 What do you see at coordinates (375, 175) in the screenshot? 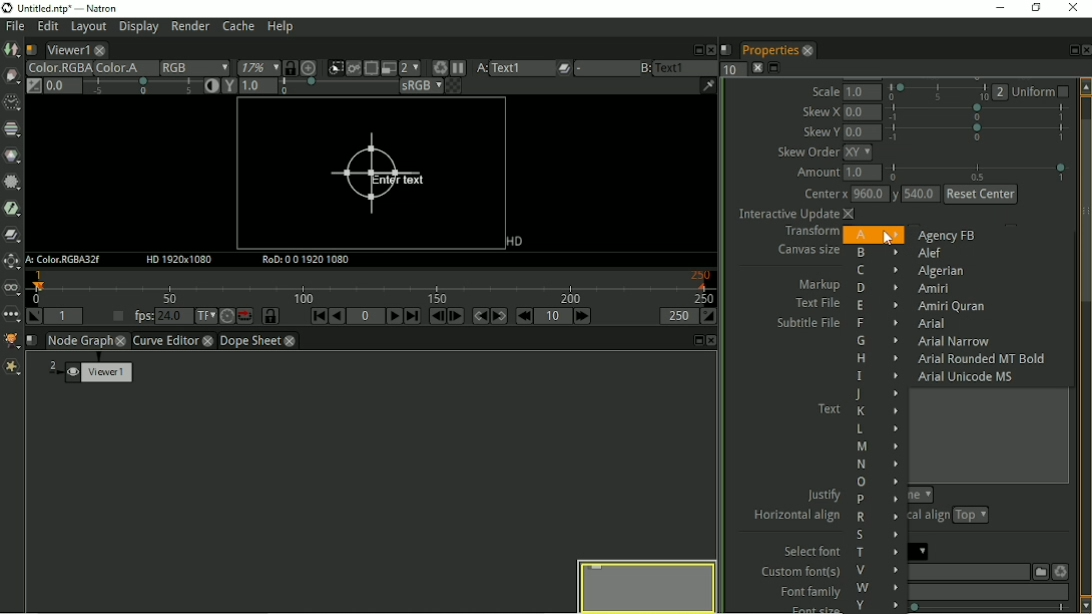
I see `Enter text` at bounding box center [375, 175].